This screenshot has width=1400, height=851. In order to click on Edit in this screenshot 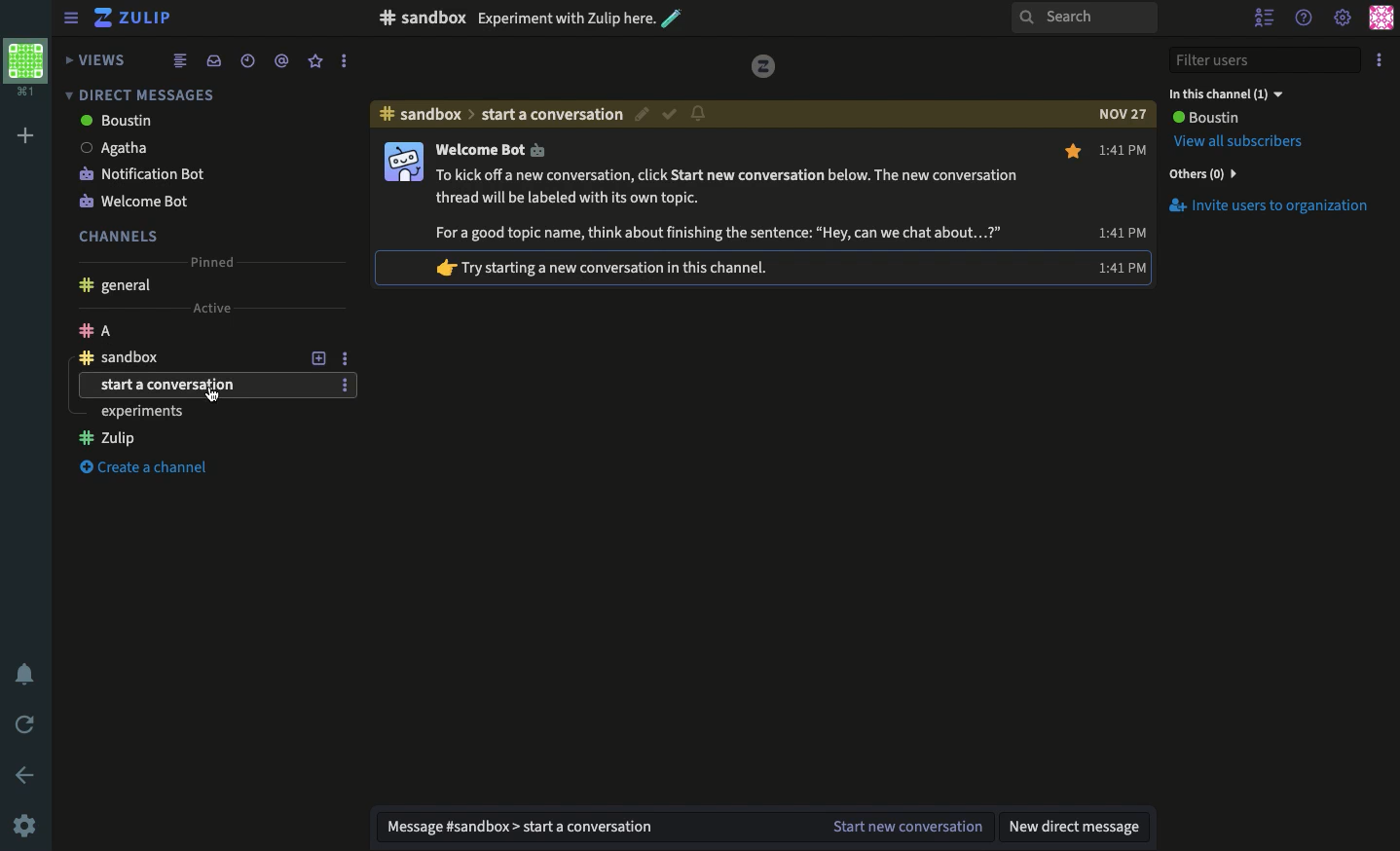, I will do `click(644, 117)`.